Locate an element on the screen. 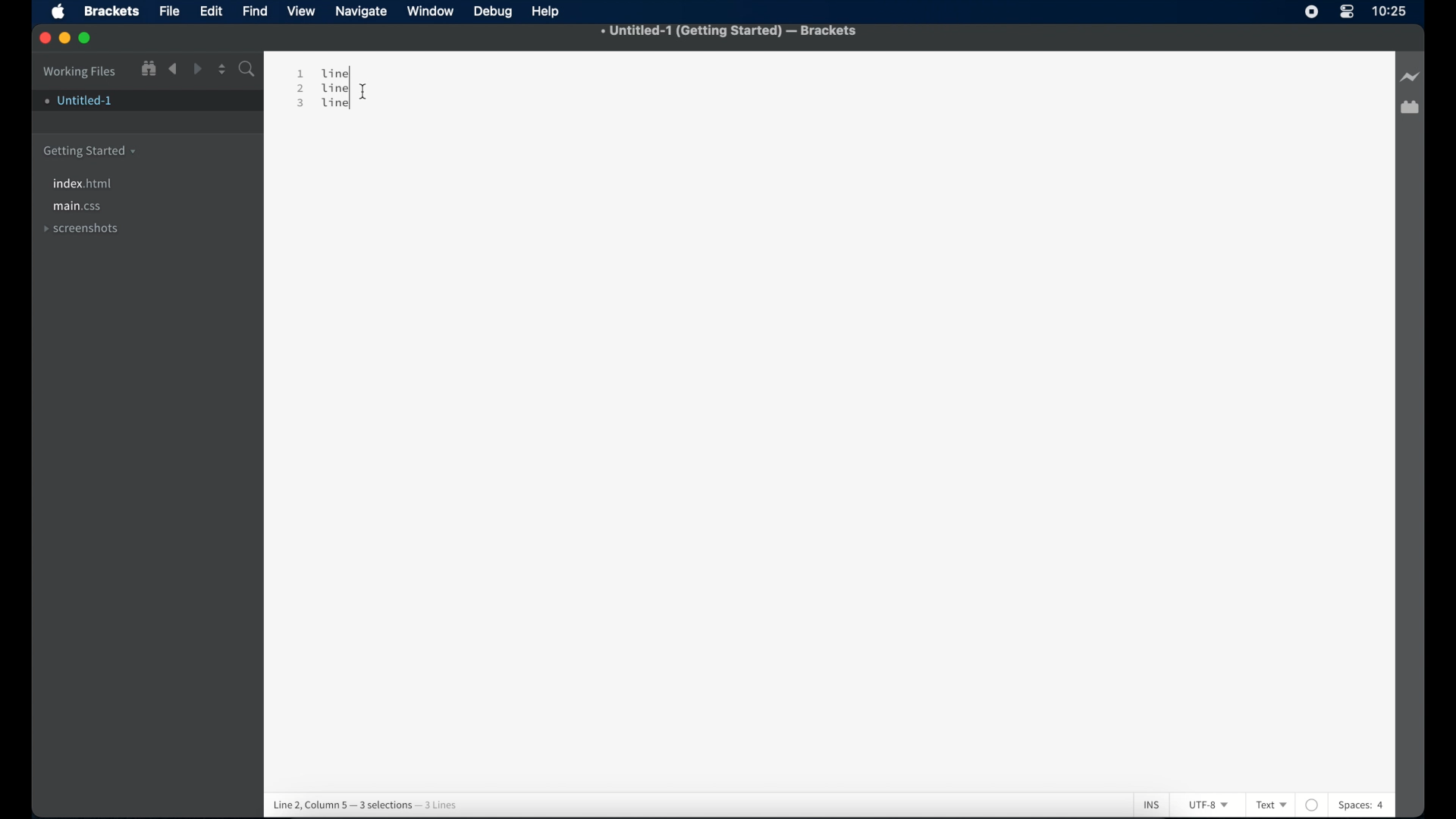 This screenshot has height=819, width=1456. help is located at coordinates (548, 12).